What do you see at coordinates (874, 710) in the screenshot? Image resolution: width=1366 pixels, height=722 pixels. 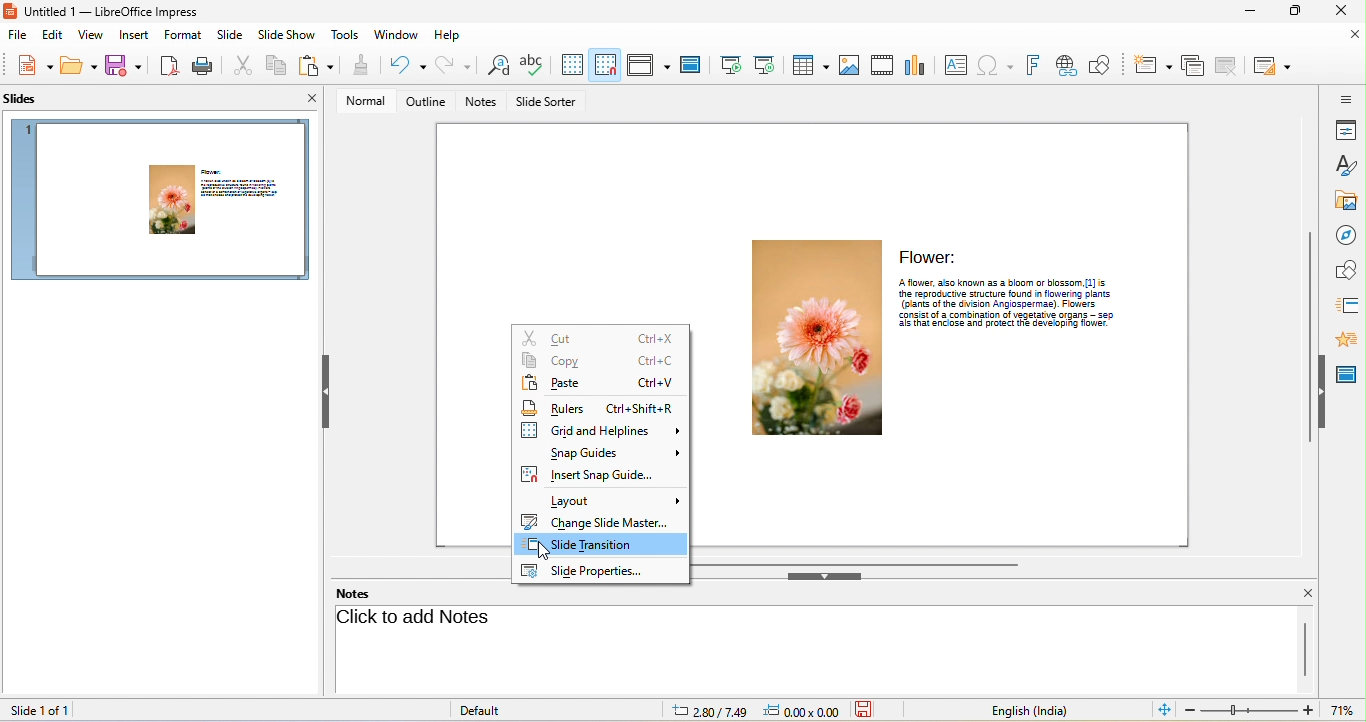 I see `the document has not been modified since the last save` at bounding box center [874, 710].